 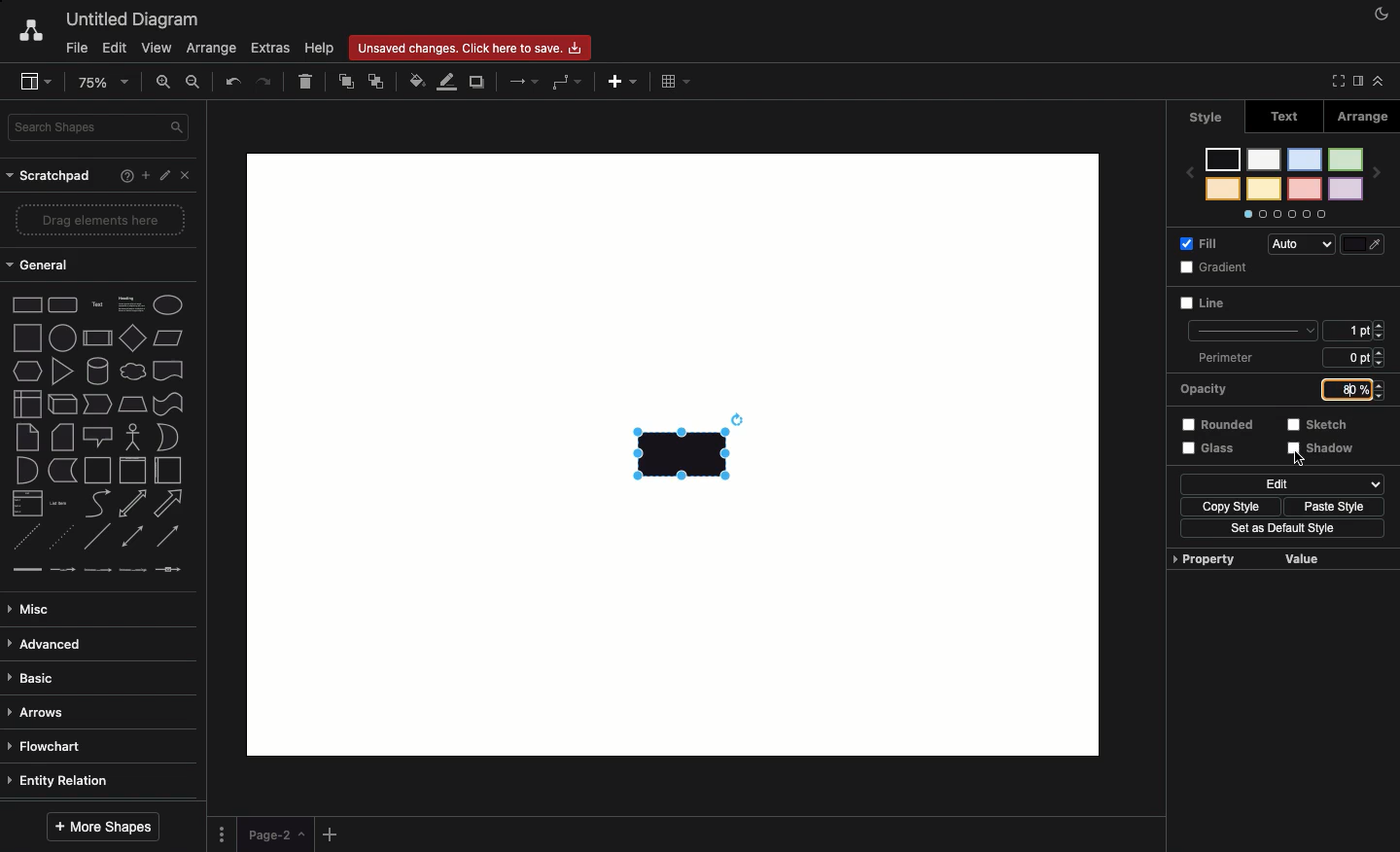 I want to click on curve, so click(x=98, y=505).